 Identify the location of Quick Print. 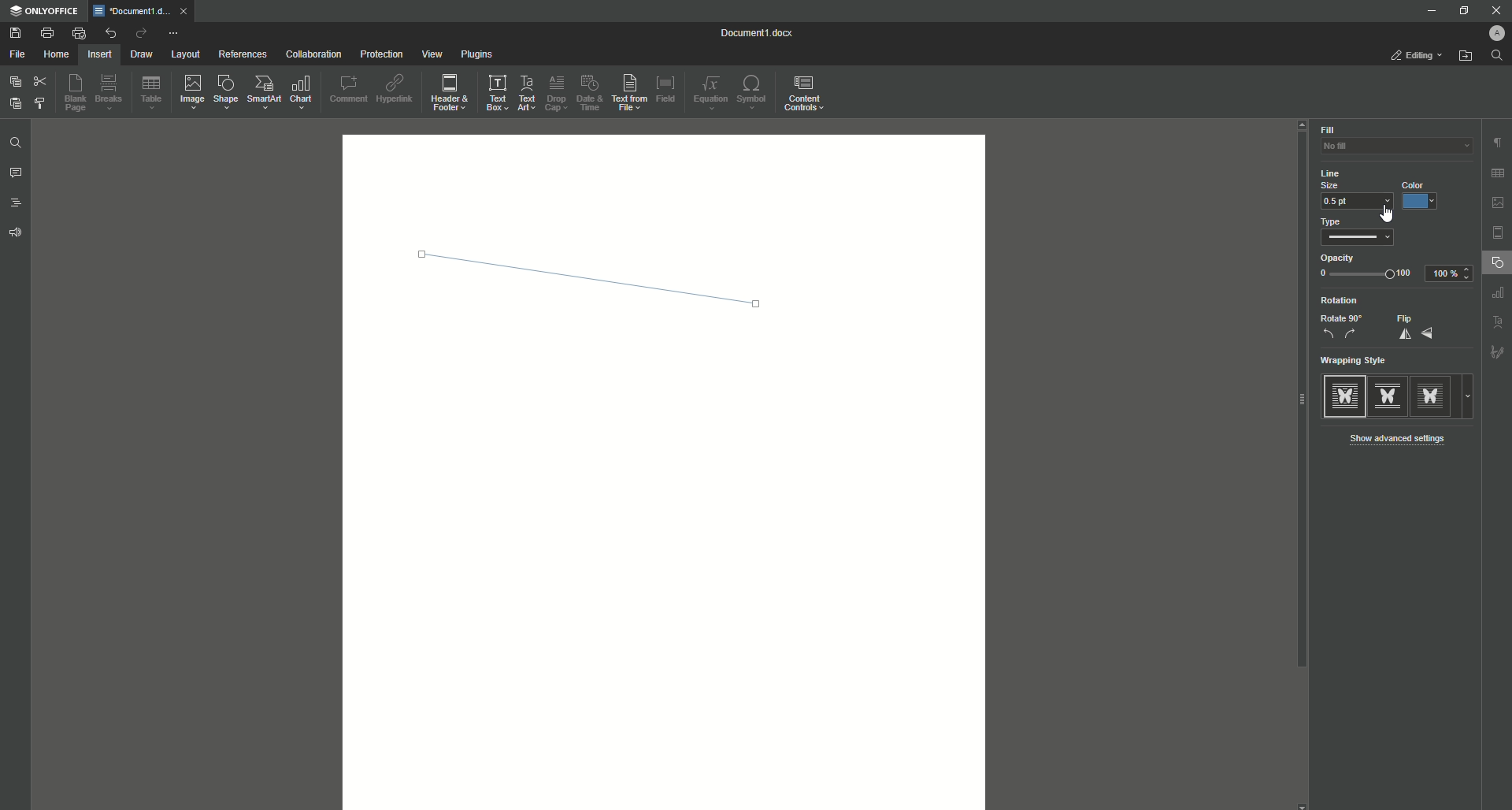
(78, 32).